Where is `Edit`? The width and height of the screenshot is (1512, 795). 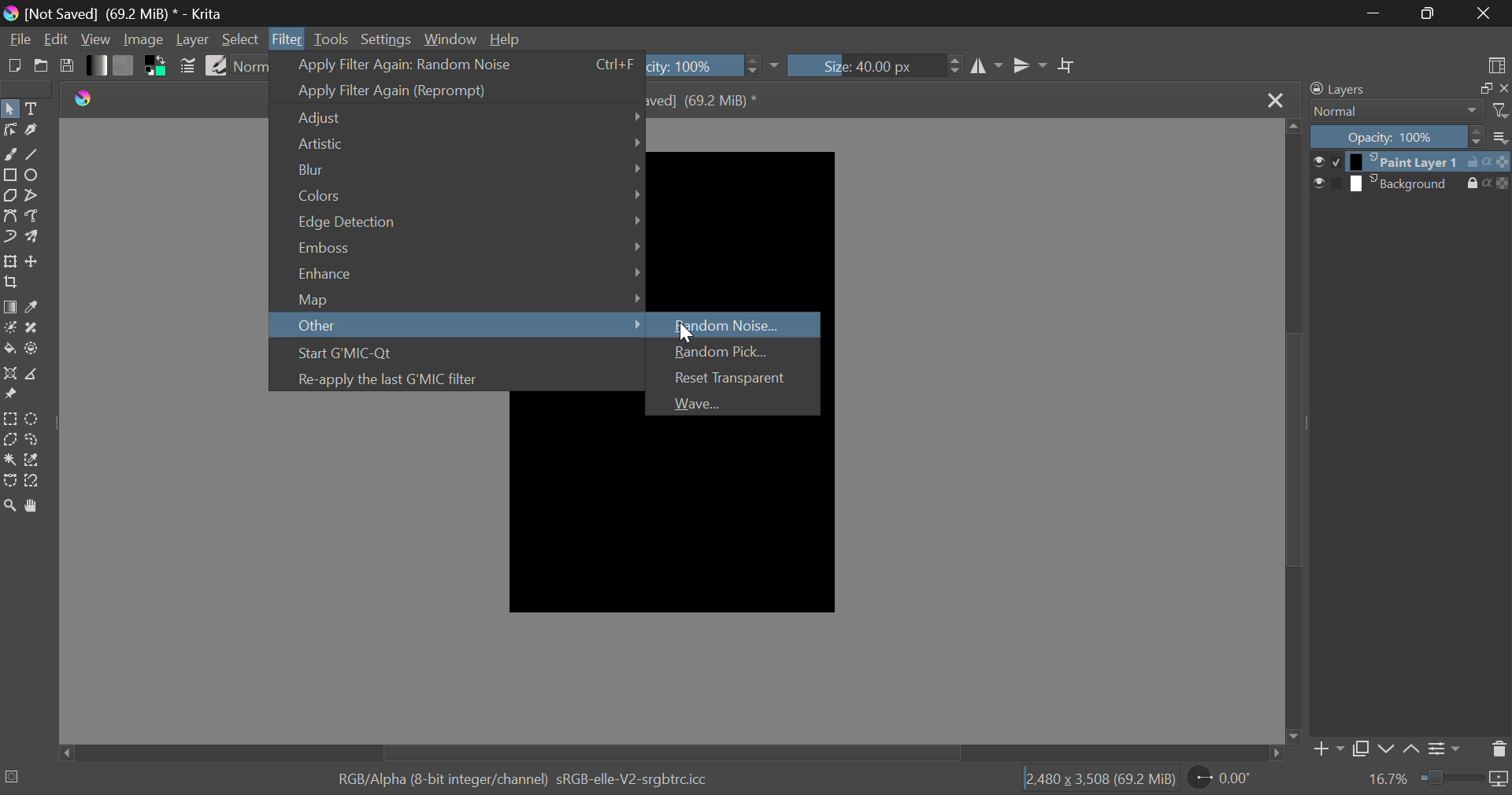 Edit is located at coordinates (57, 40).